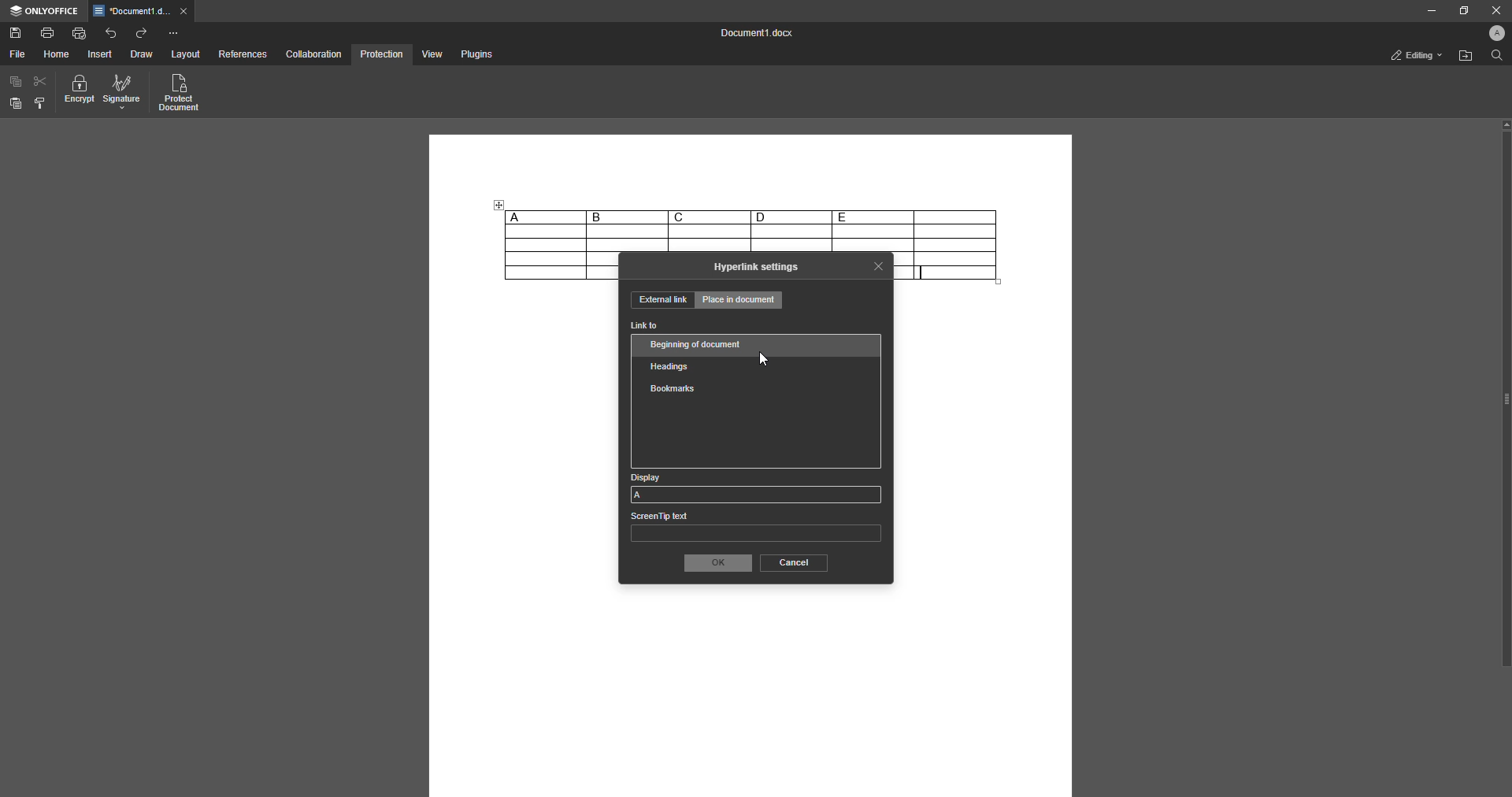 This screenshot has height=797, width=1512. What do you see at coordinates (41, 80) in the screenshot?
I see `Cut` at bounding box center [41, 80].